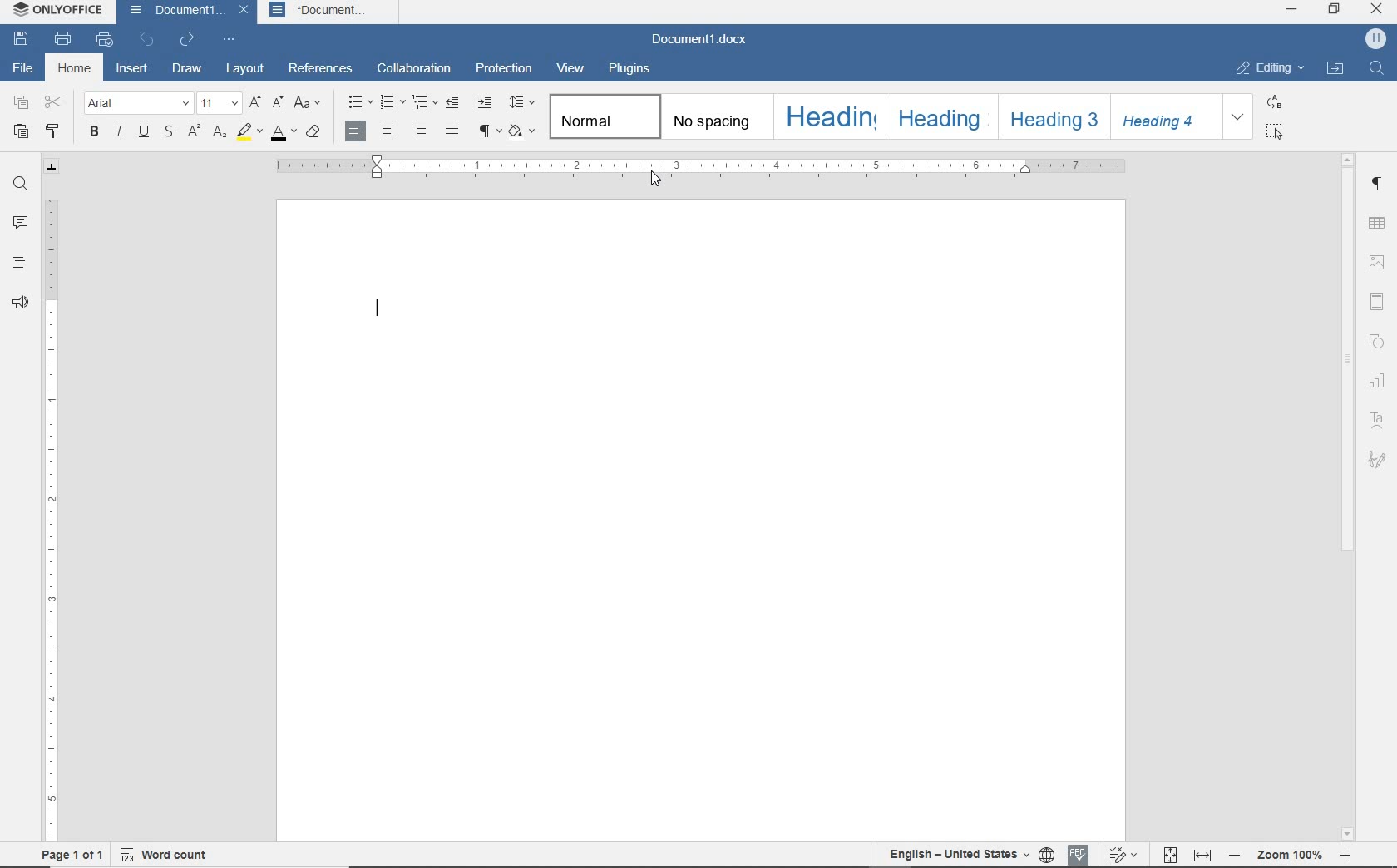 This screenshot has width=1397, height=868. Describe the element at coordinates (393, 103) in the screenshot. I see `NUMBERING` at that location.